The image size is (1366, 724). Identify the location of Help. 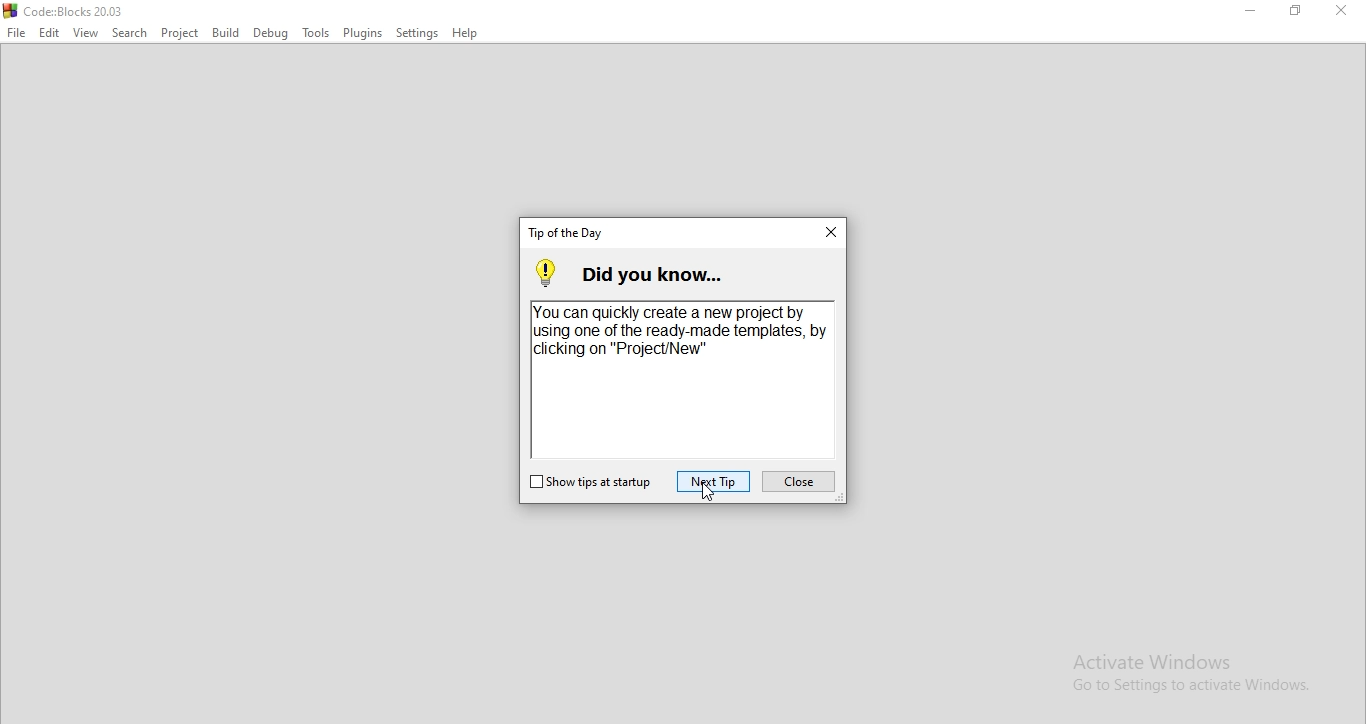
(463, 34).